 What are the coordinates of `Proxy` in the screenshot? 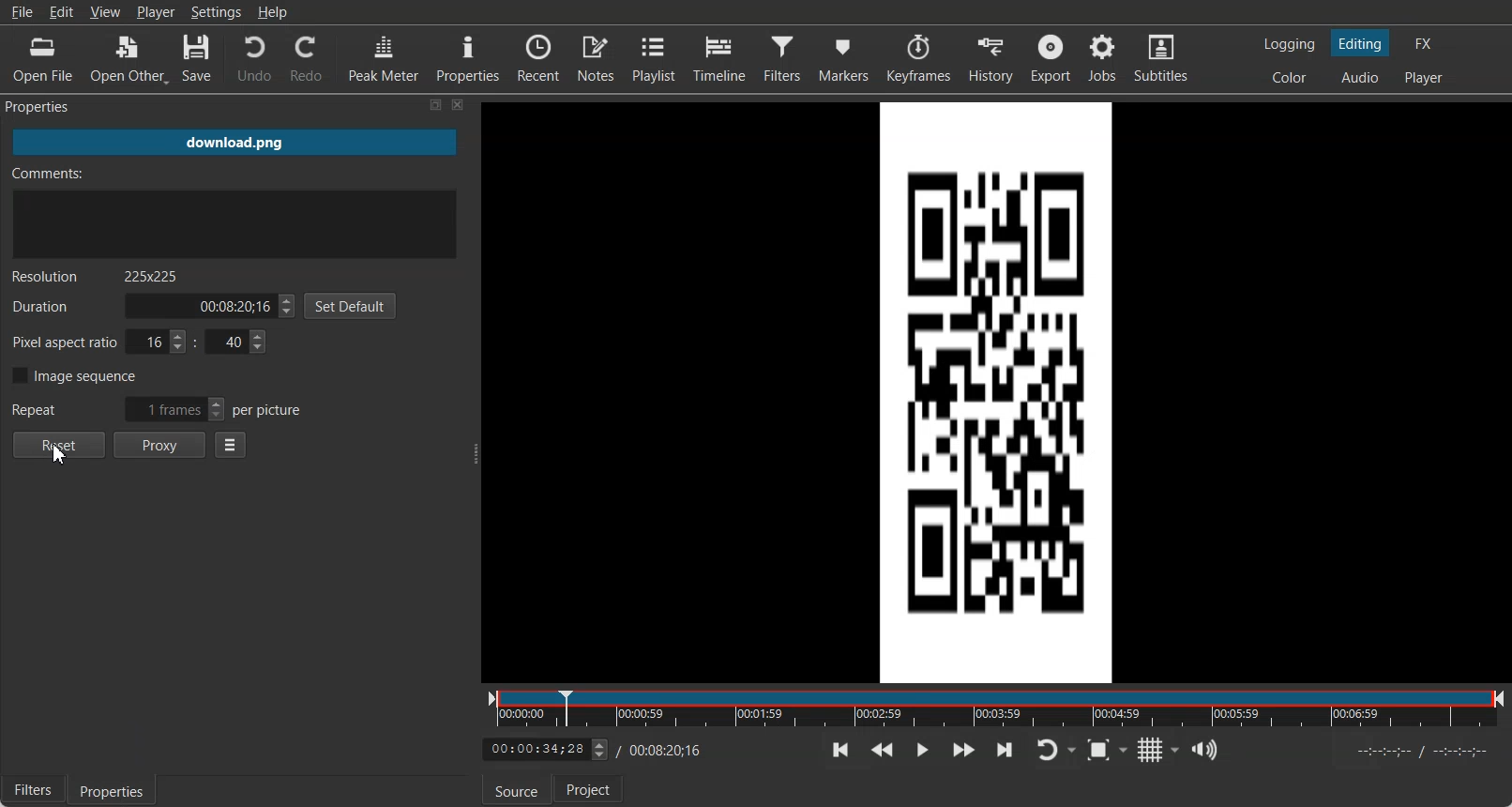 It's located at (160, 446).